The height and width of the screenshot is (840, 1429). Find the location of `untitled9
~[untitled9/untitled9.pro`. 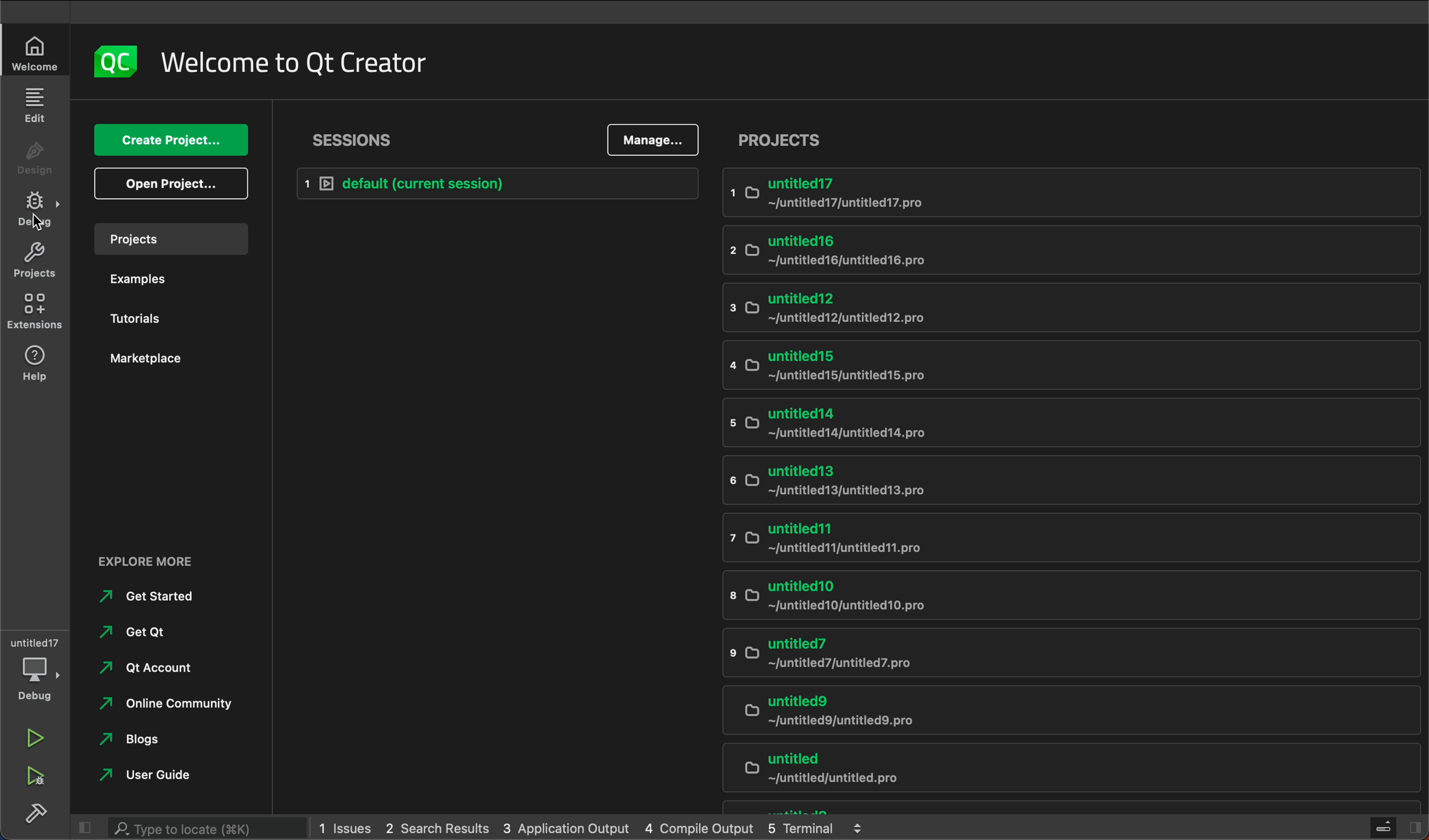

untitled9
~[untitled9/untitled9.pro is located at coordinates (1067, 713).